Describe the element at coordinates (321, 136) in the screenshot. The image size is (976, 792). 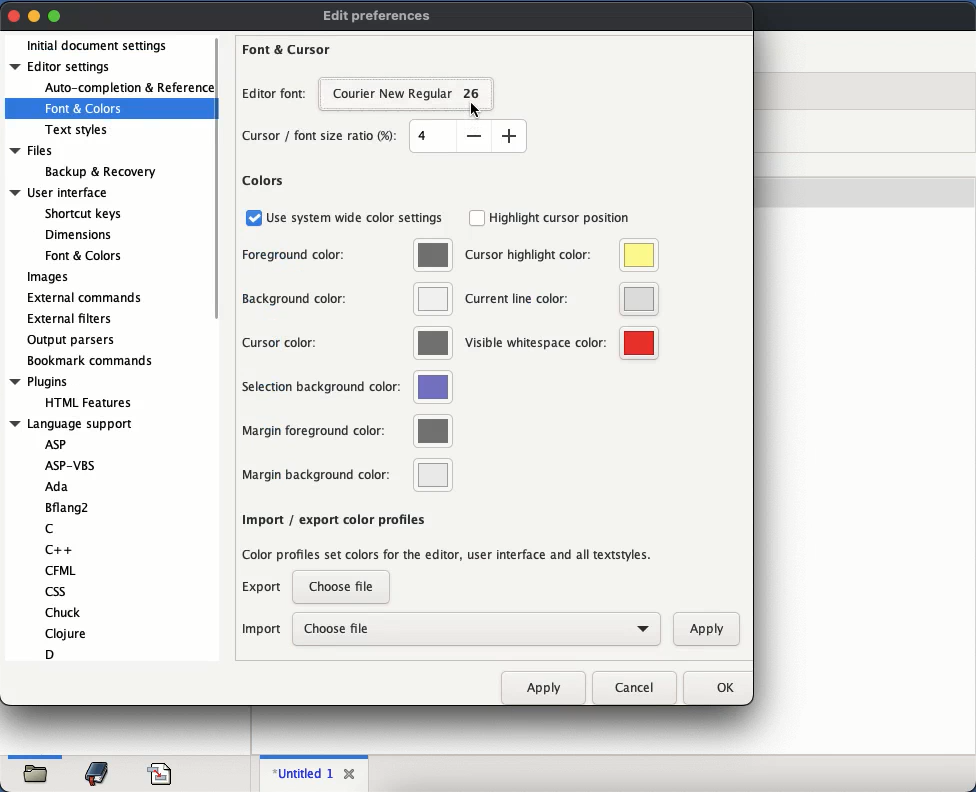
I see `cursor font size ratio` at that location.